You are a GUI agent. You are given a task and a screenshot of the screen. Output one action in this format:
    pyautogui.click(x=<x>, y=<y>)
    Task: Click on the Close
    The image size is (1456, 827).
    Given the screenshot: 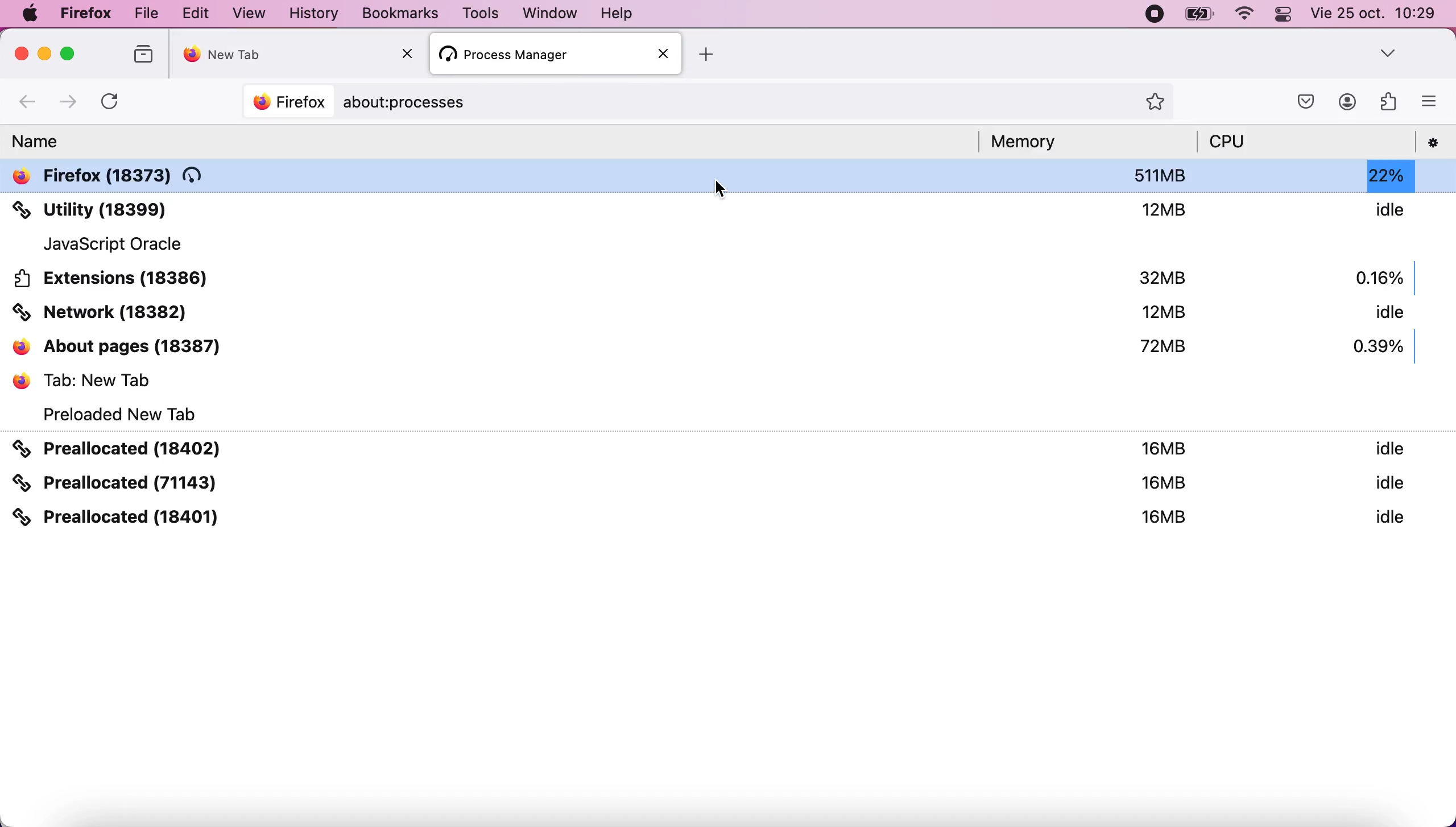 What is the action you would take?
    pyautogui.click(x=408, y=53)
    